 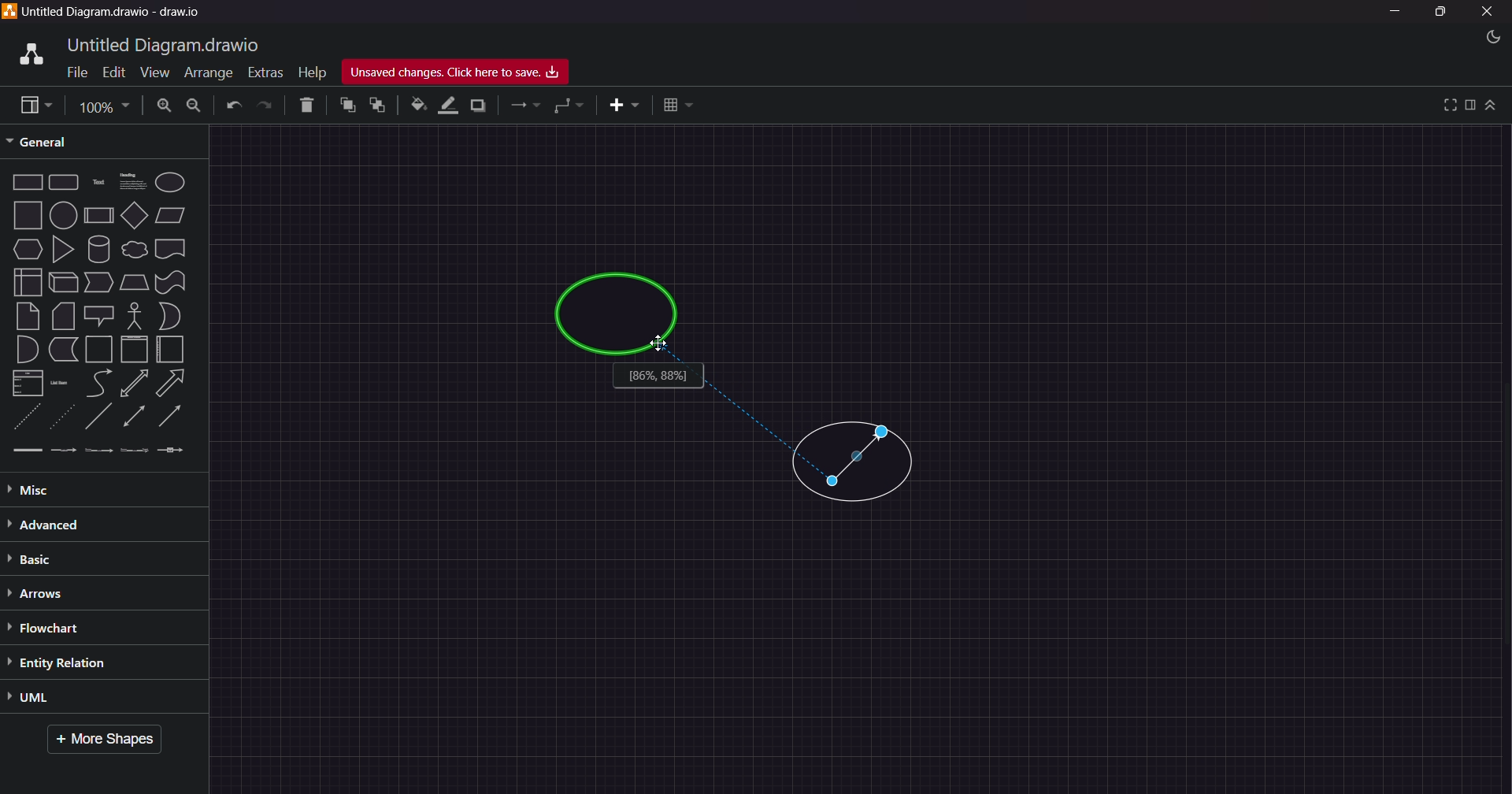 What do you see at coordinates (205, 74) in the screenshot?
I see `Arrange` at bounding box center [205, 74].